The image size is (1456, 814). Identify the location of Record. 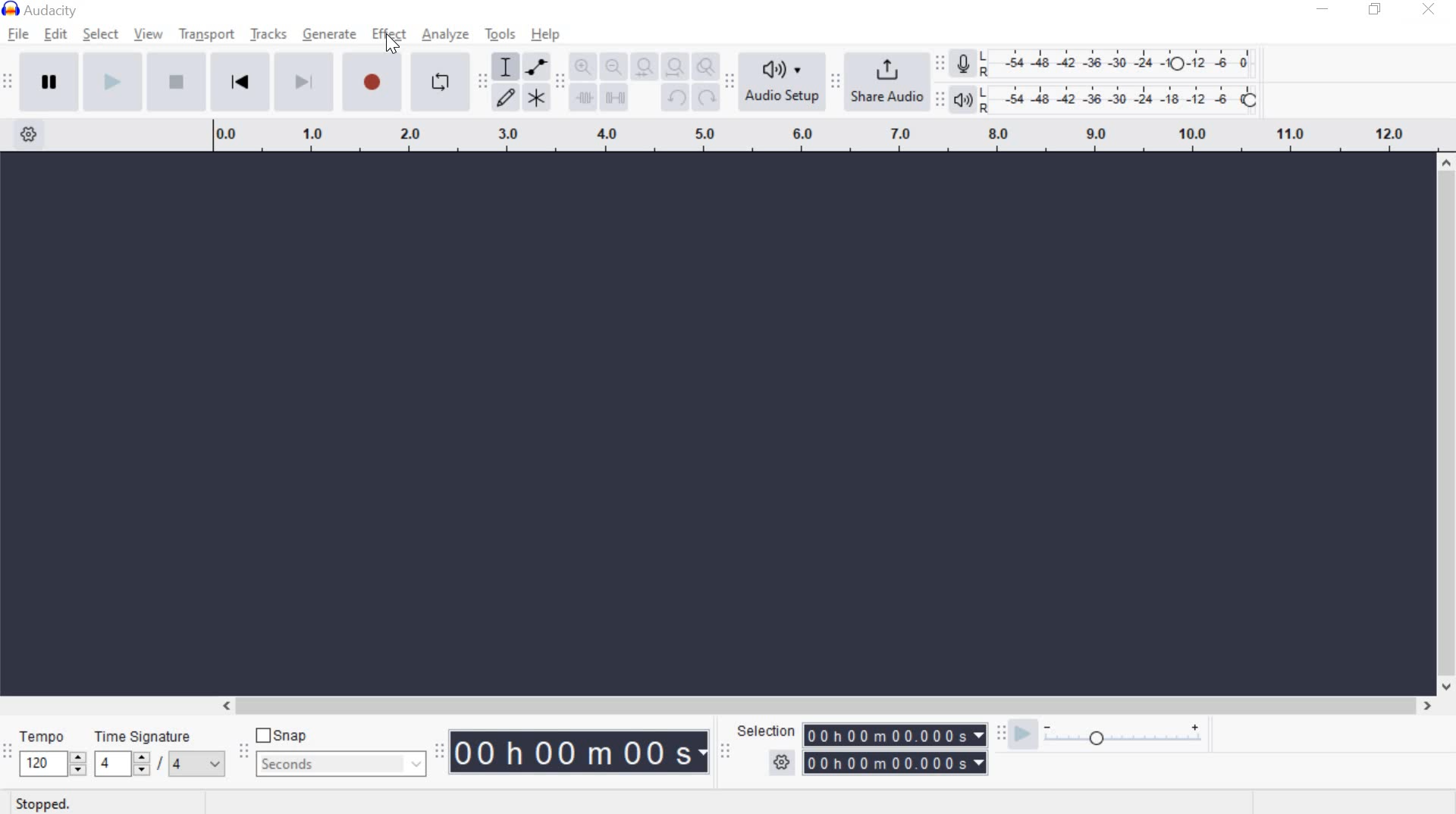
(369, 83).